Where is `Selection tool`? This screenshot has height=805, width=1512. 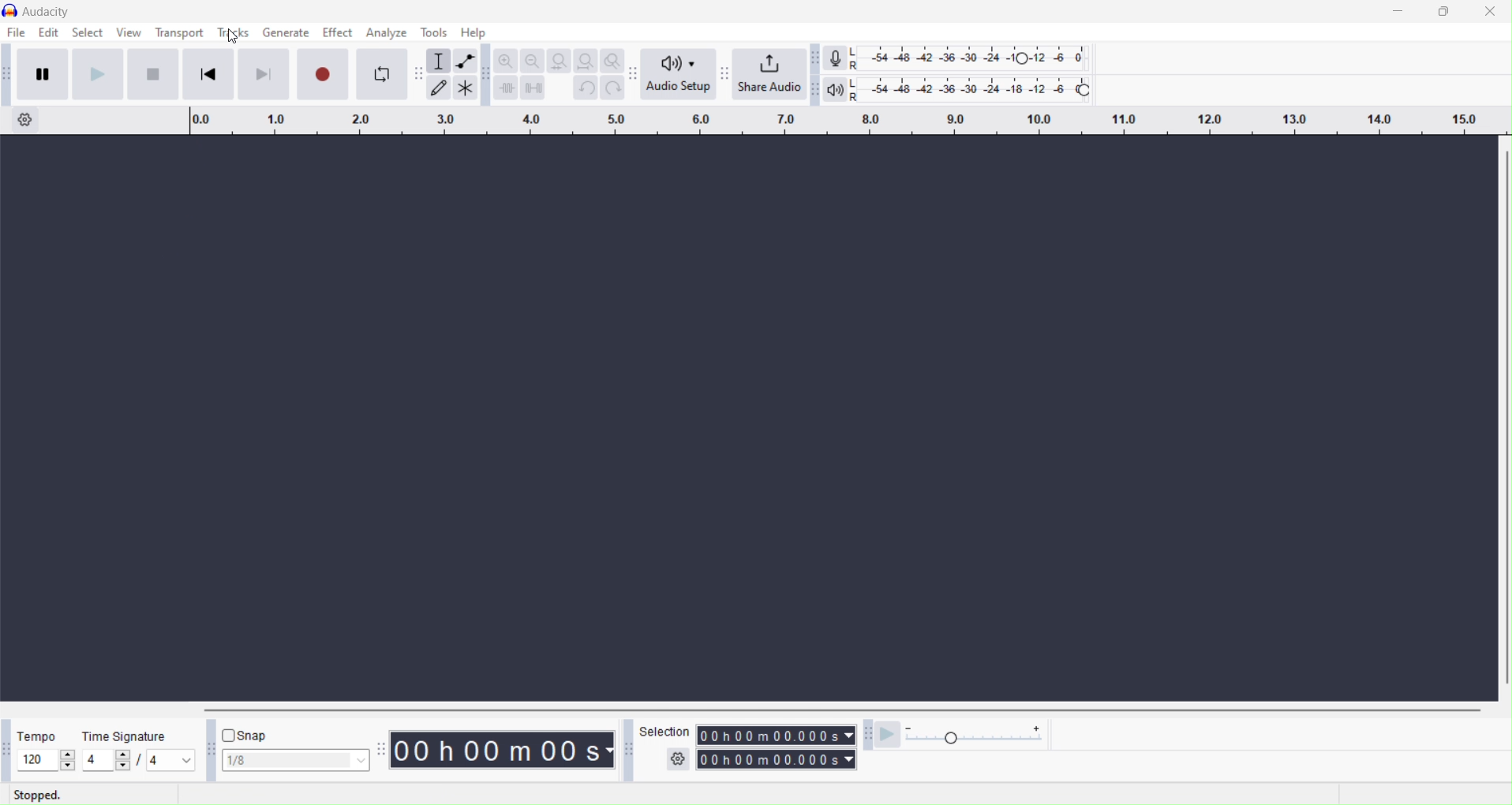 Selection tool is located at coordinates (437, 59).